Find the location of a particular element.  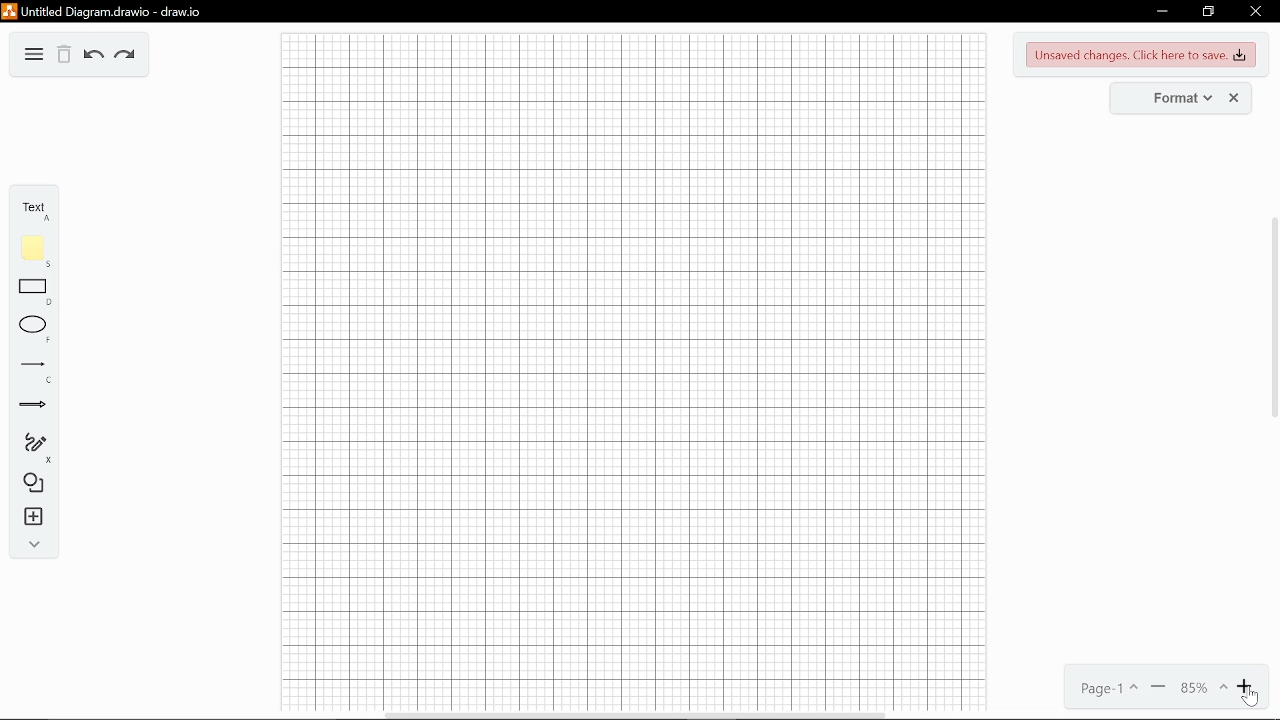

close is located at coordinates (1255, 10).